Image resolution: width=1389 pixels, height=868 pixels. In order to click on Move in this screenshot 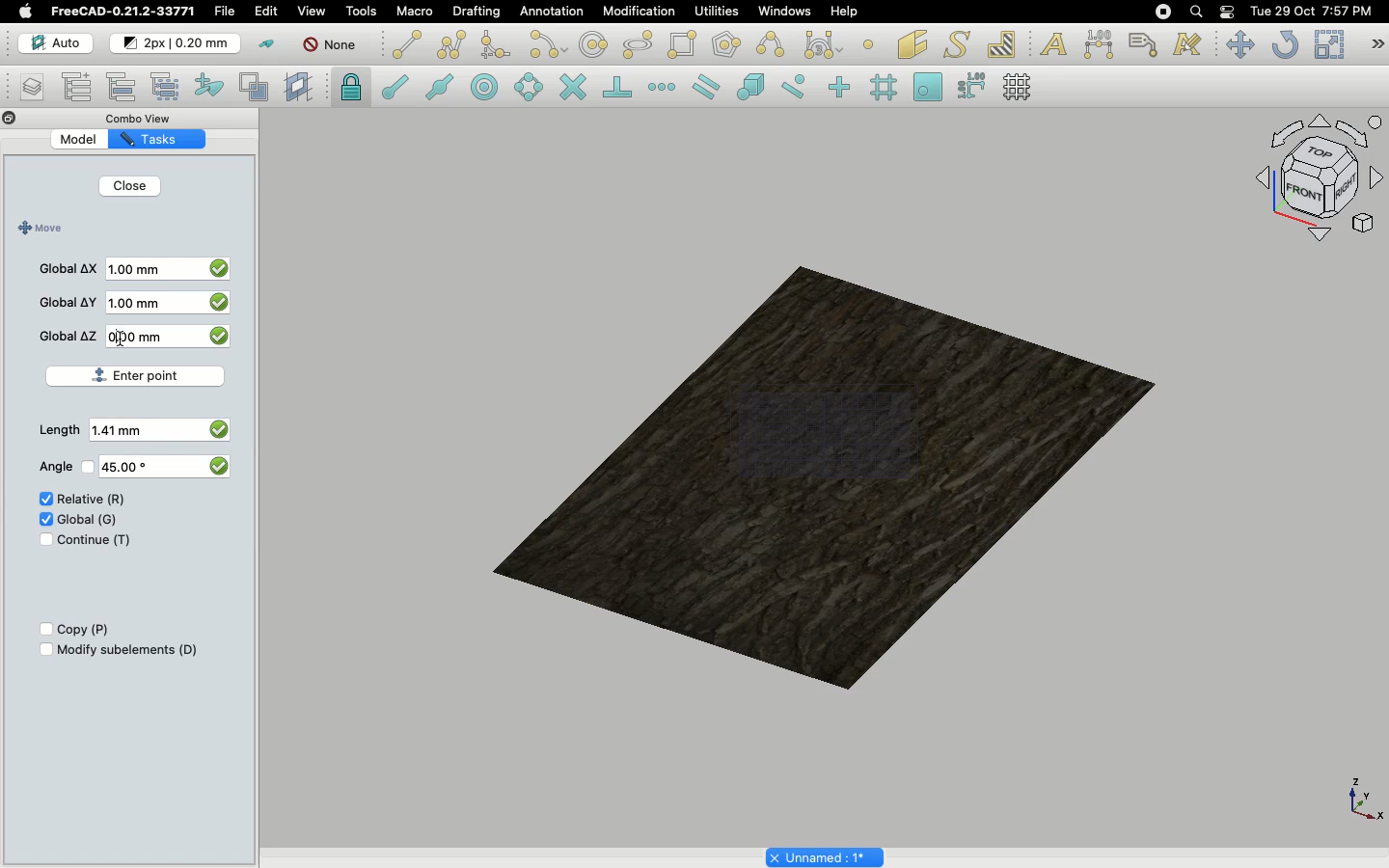, I will do `click(1239, 44)`.